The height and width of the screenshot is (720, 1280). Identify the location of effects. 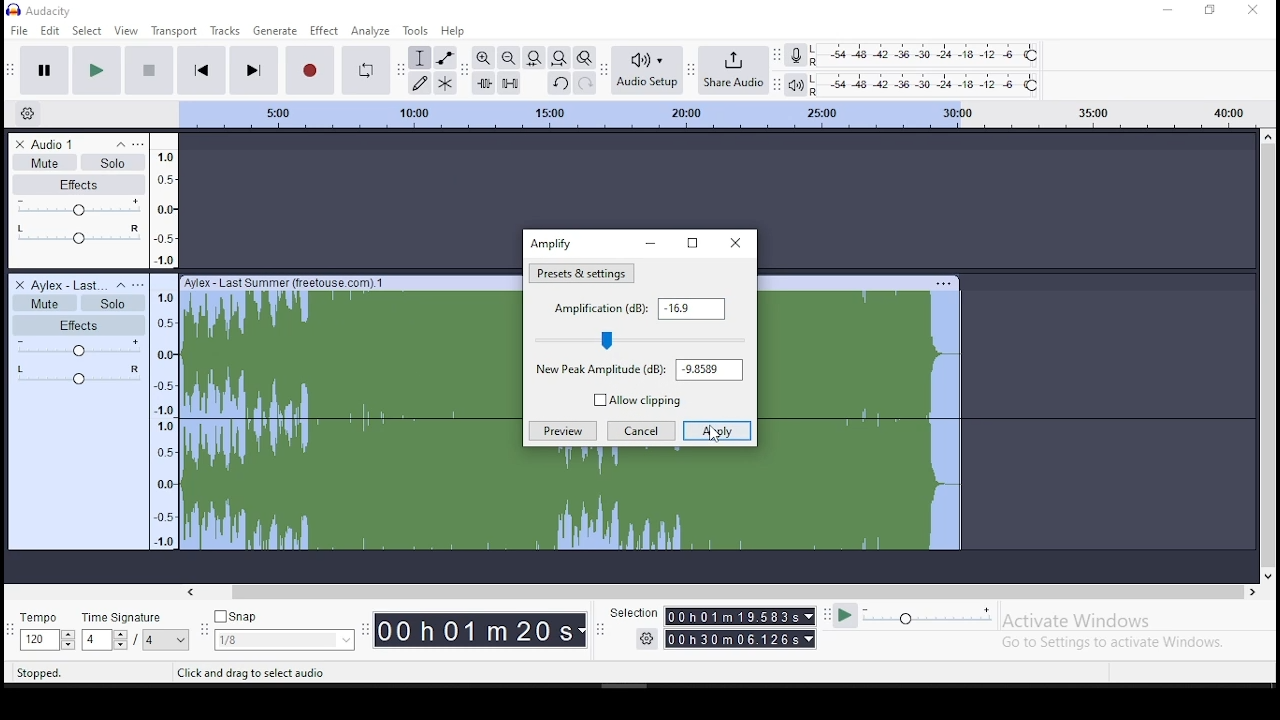
(79, 325).